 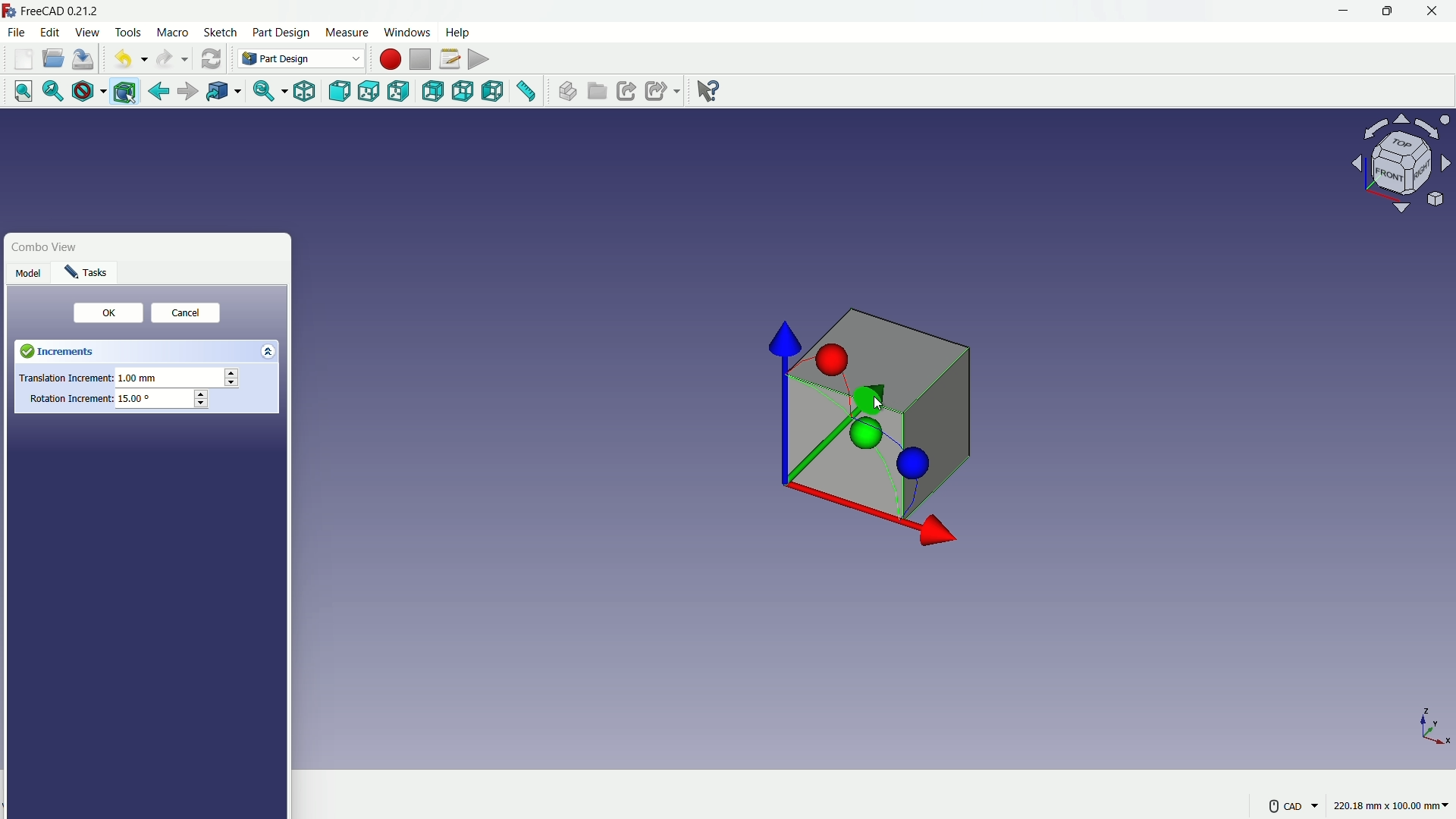 I want to click on cursor, so click(x=880, y=404).